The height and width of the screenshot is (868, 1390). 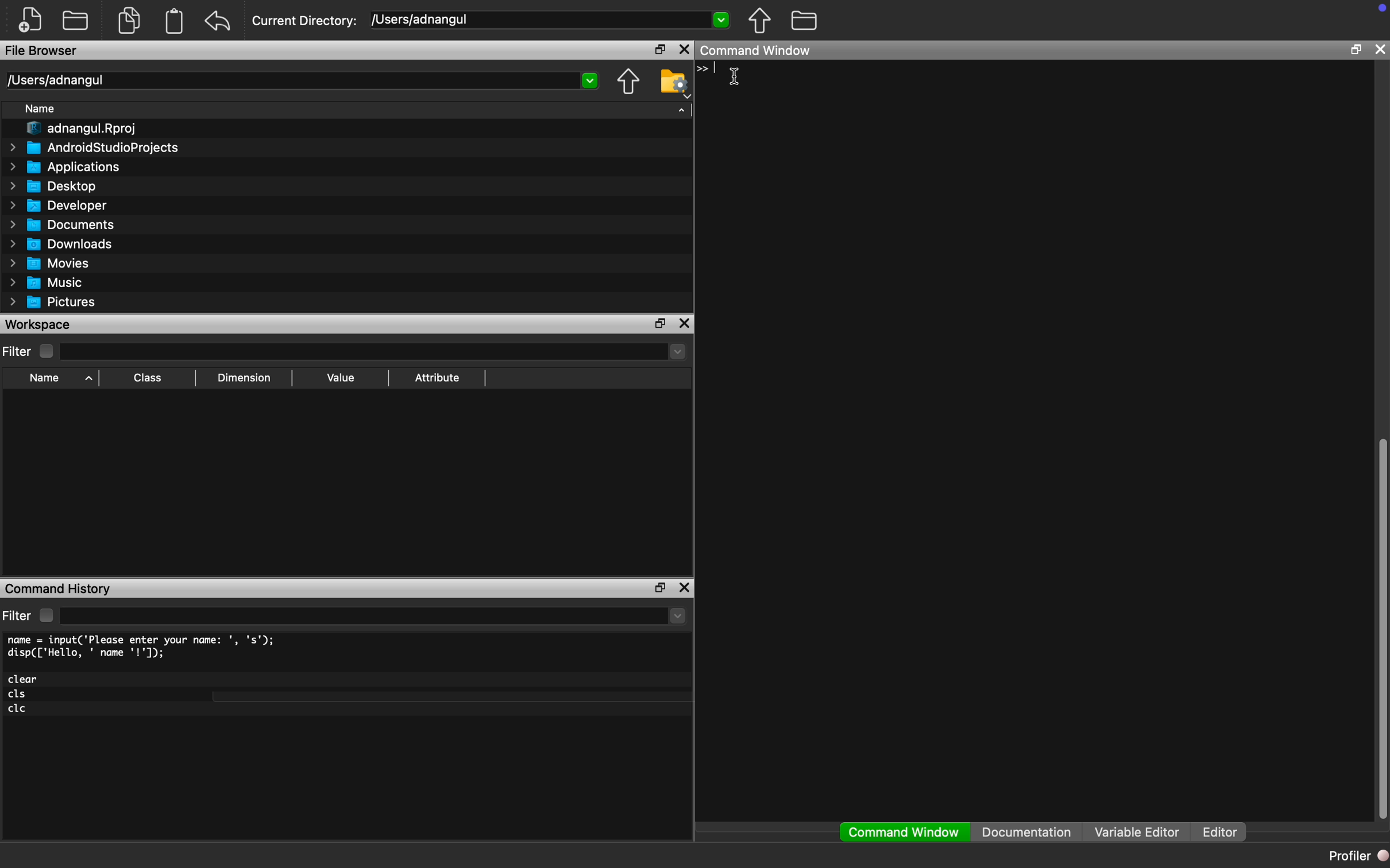 I want to click on Developer, so click(x=56, y=206).